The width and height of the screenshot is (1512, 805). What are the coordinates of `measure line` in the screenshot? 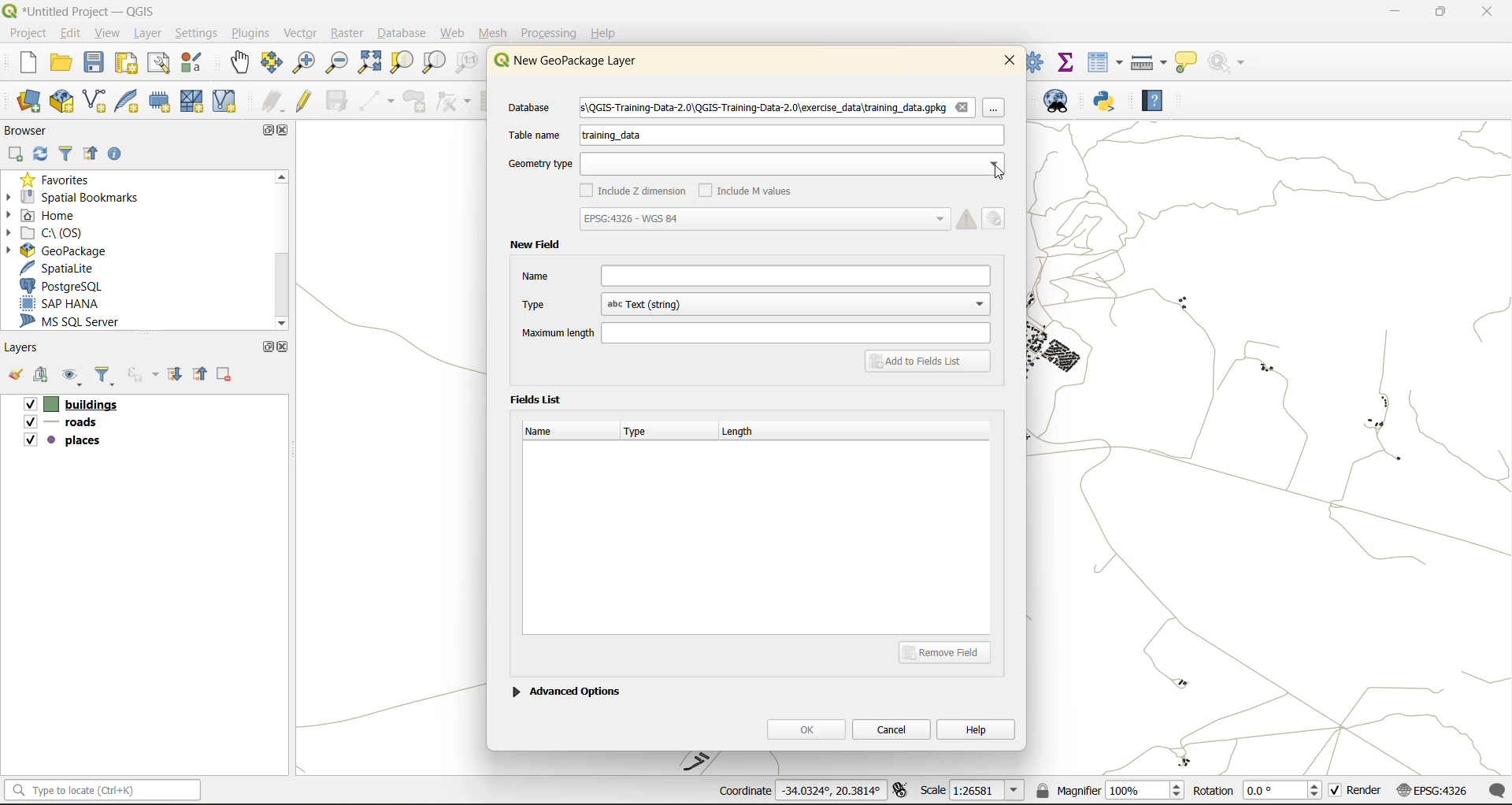 It's located at (1151, 62).